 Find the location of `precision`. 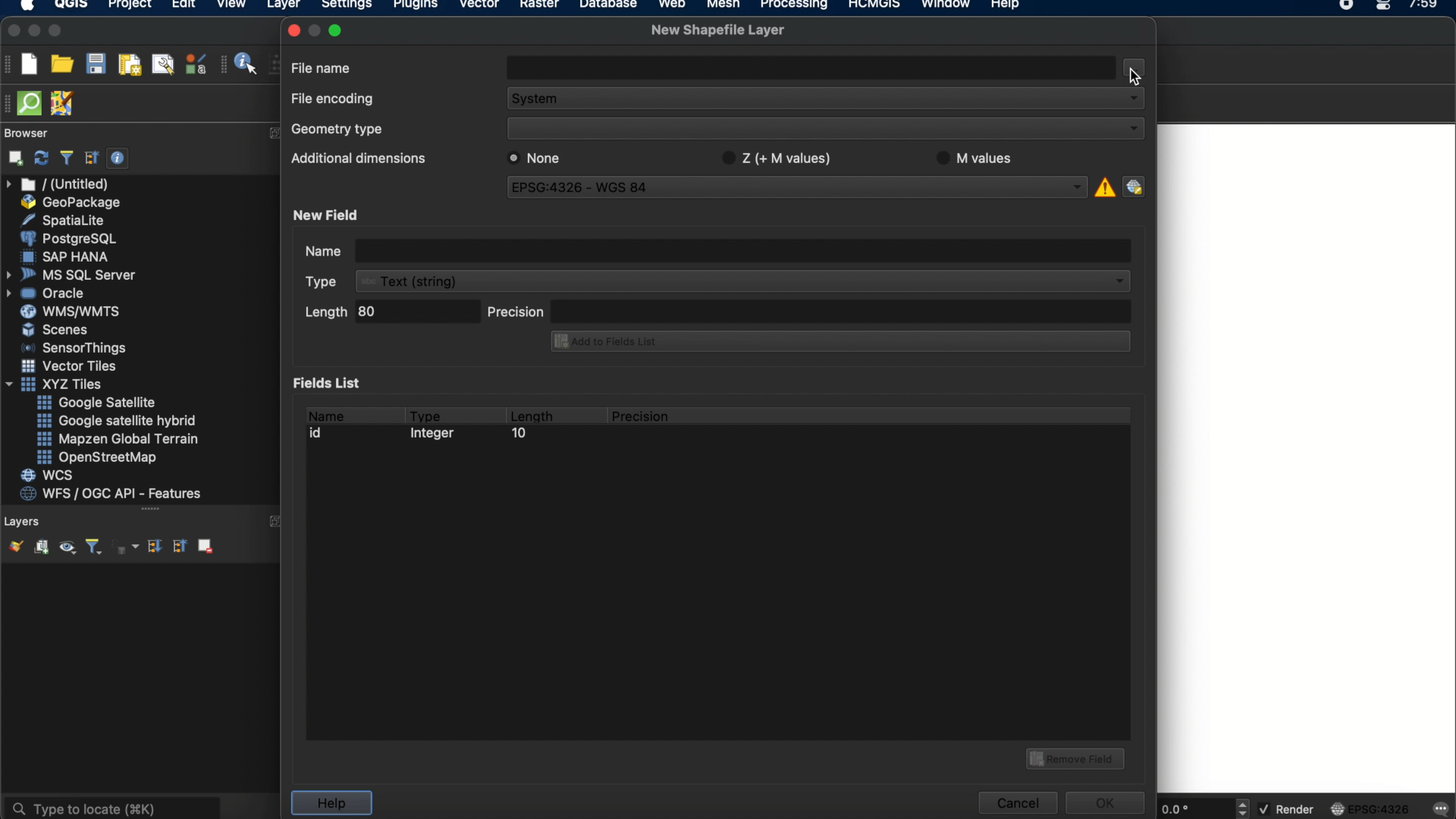

precision is located at coordinates (516, 310).